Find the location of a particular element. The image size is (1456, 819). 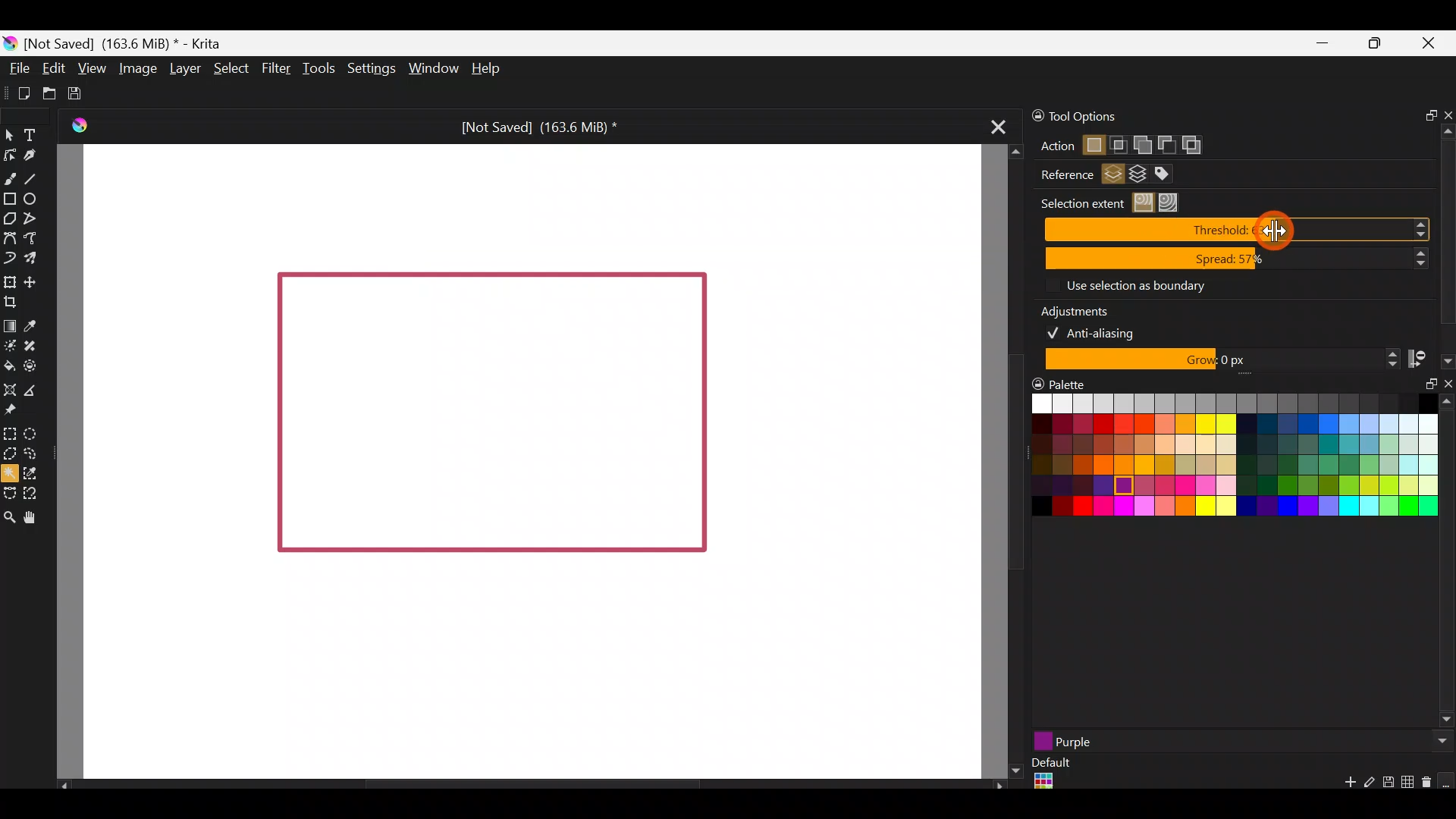

Reference images tool is located at coordinates (17, 412).